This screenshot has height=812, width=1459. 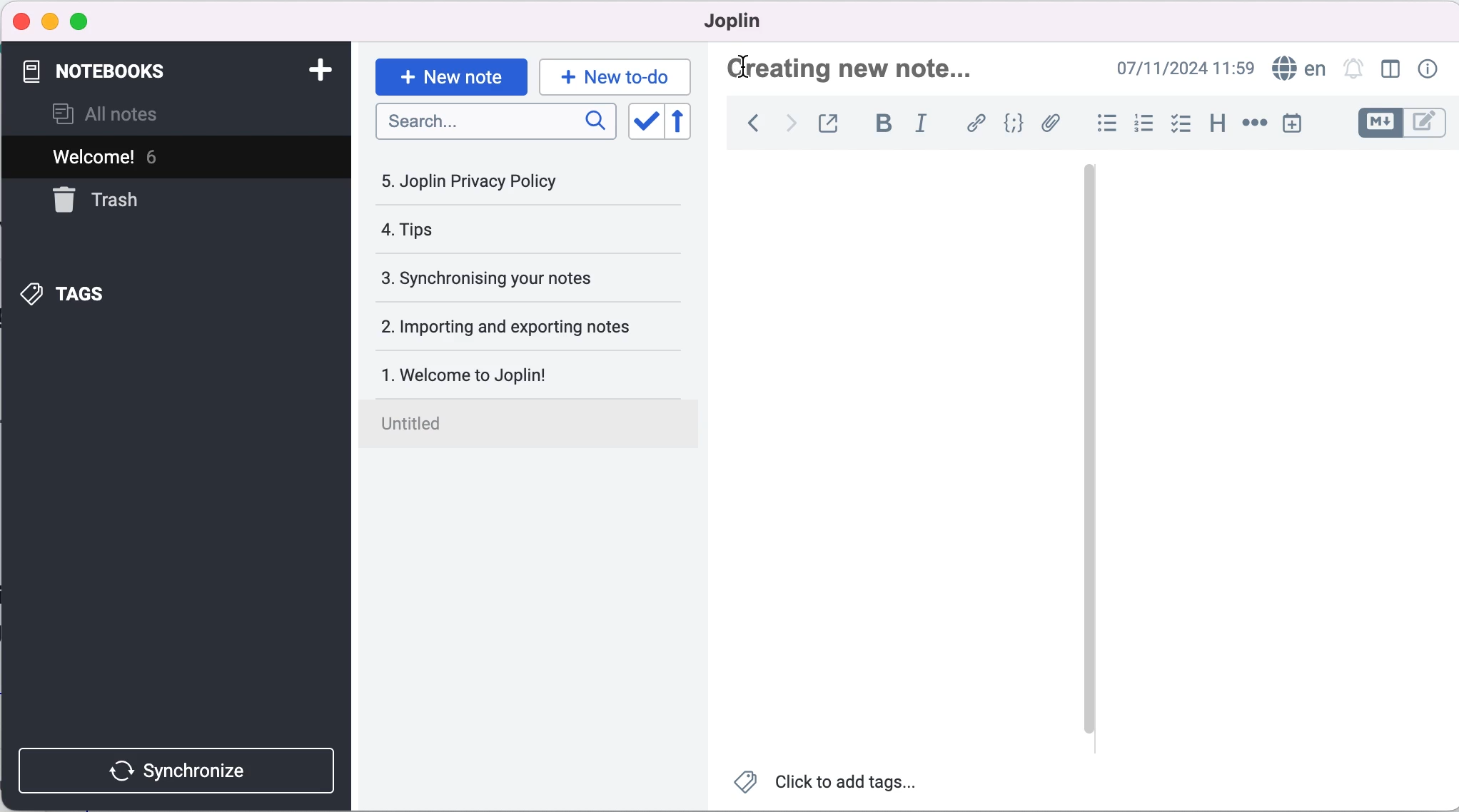 What do you see at coordinates (1254, 125) in the screenshot?
I see `horizontal rule` at bounding box center [1254, 125].